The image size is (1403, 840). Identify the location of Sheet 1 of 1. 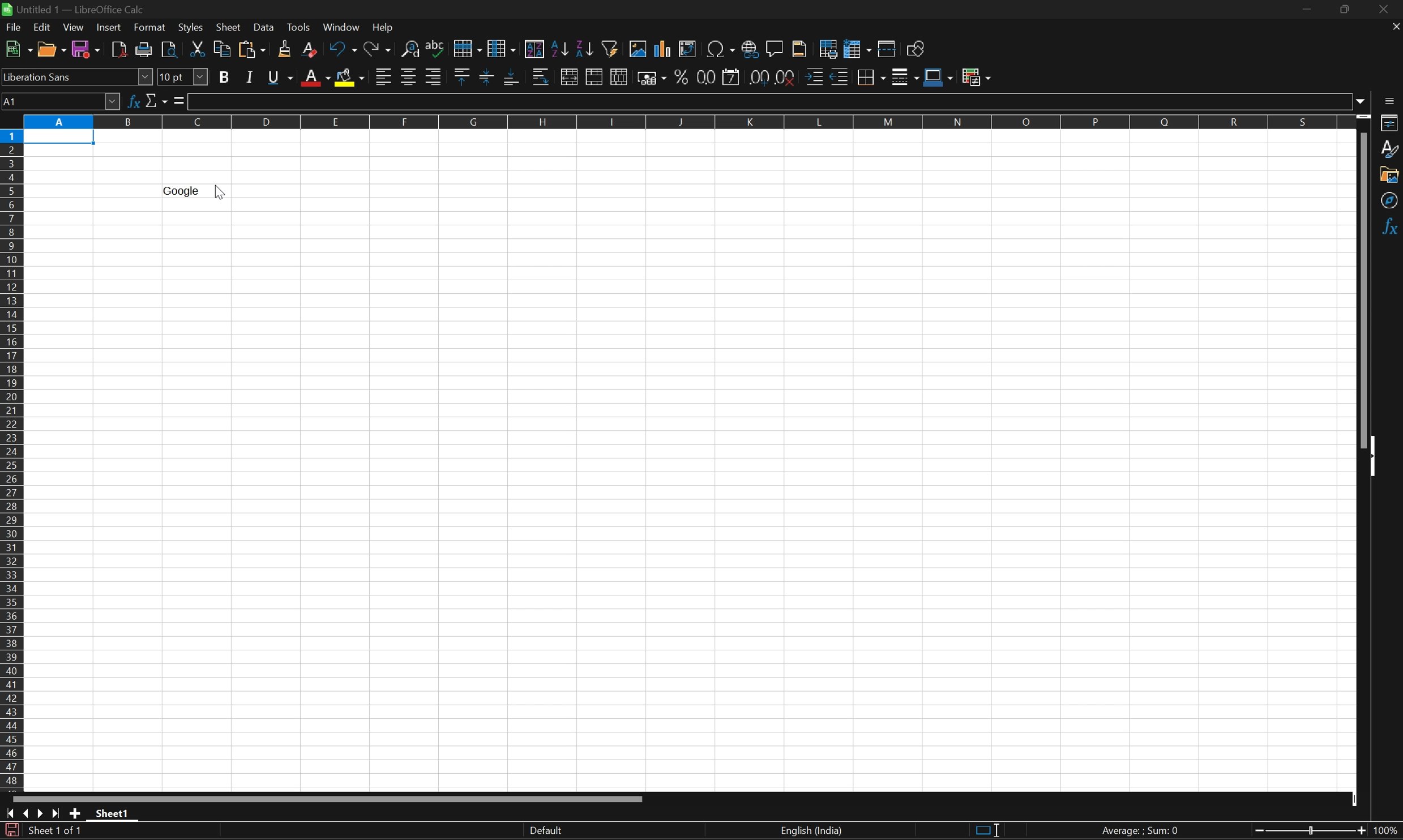
(57, 832).